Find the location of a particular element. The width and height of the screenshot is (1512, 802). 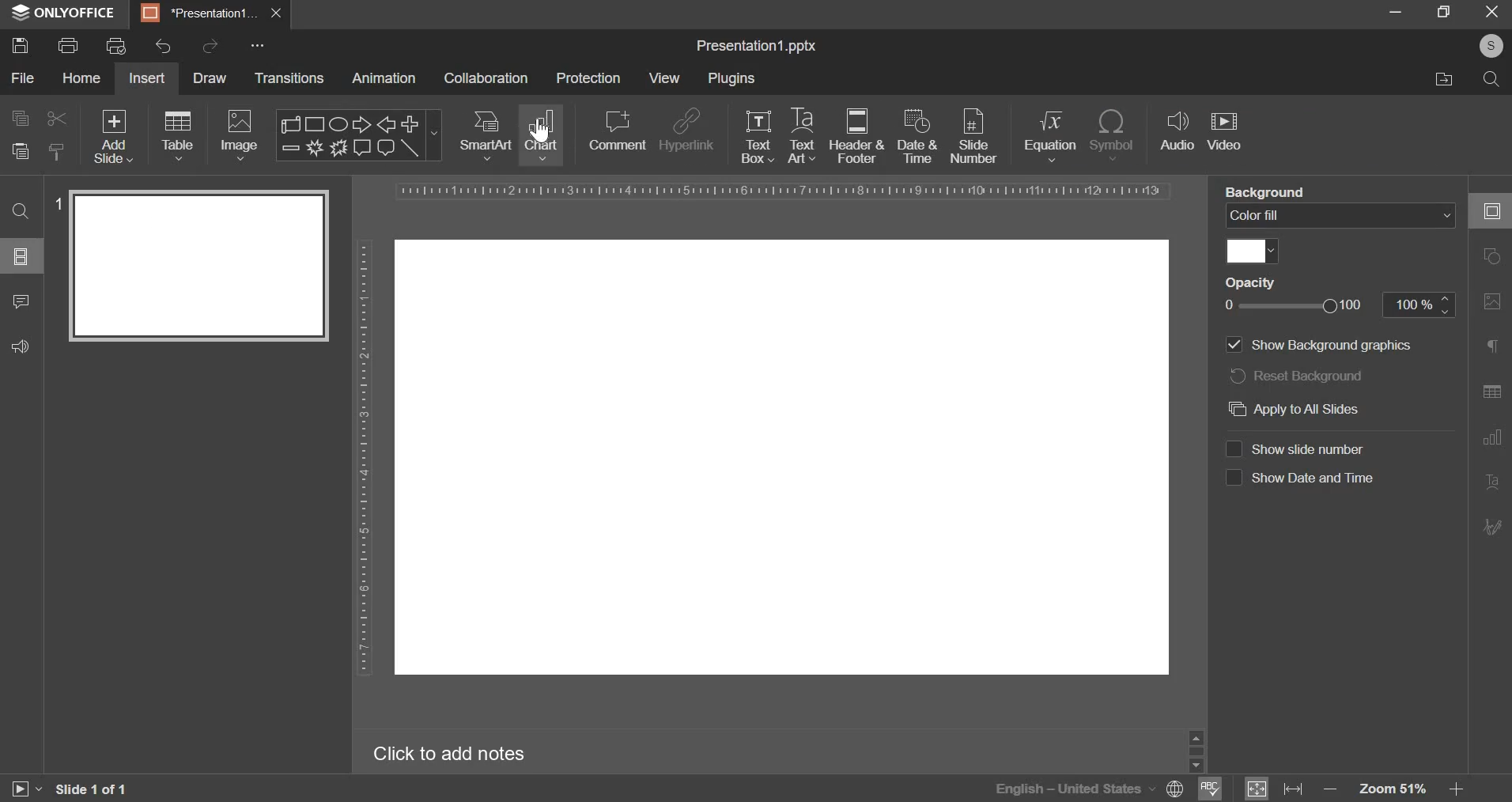

table settings is located at coordinates (1489, 394).